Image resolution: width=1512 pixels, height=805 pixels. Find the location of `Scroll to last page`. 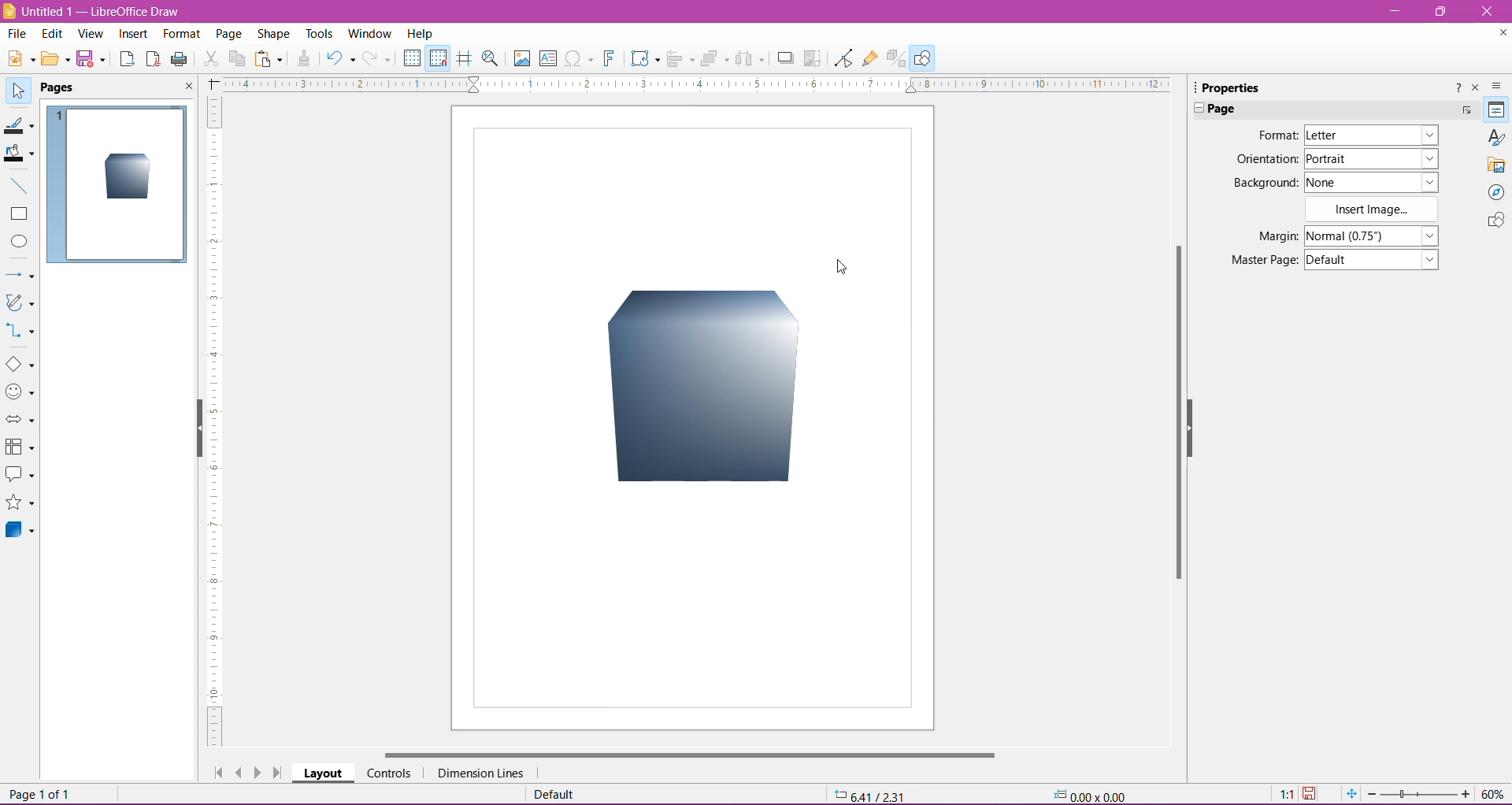

Scroll to last page is located at coordinates (279, 773).